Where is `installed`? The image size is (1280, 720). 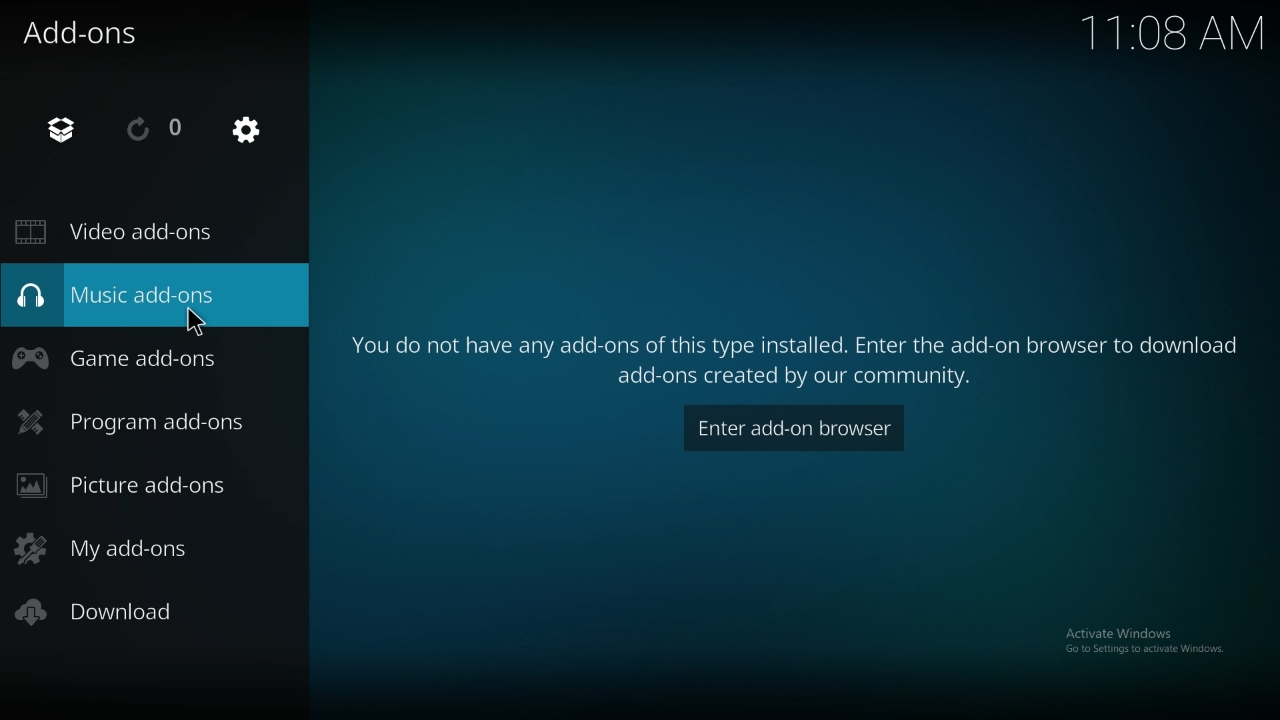
installed is located at coordinates (63, 130).